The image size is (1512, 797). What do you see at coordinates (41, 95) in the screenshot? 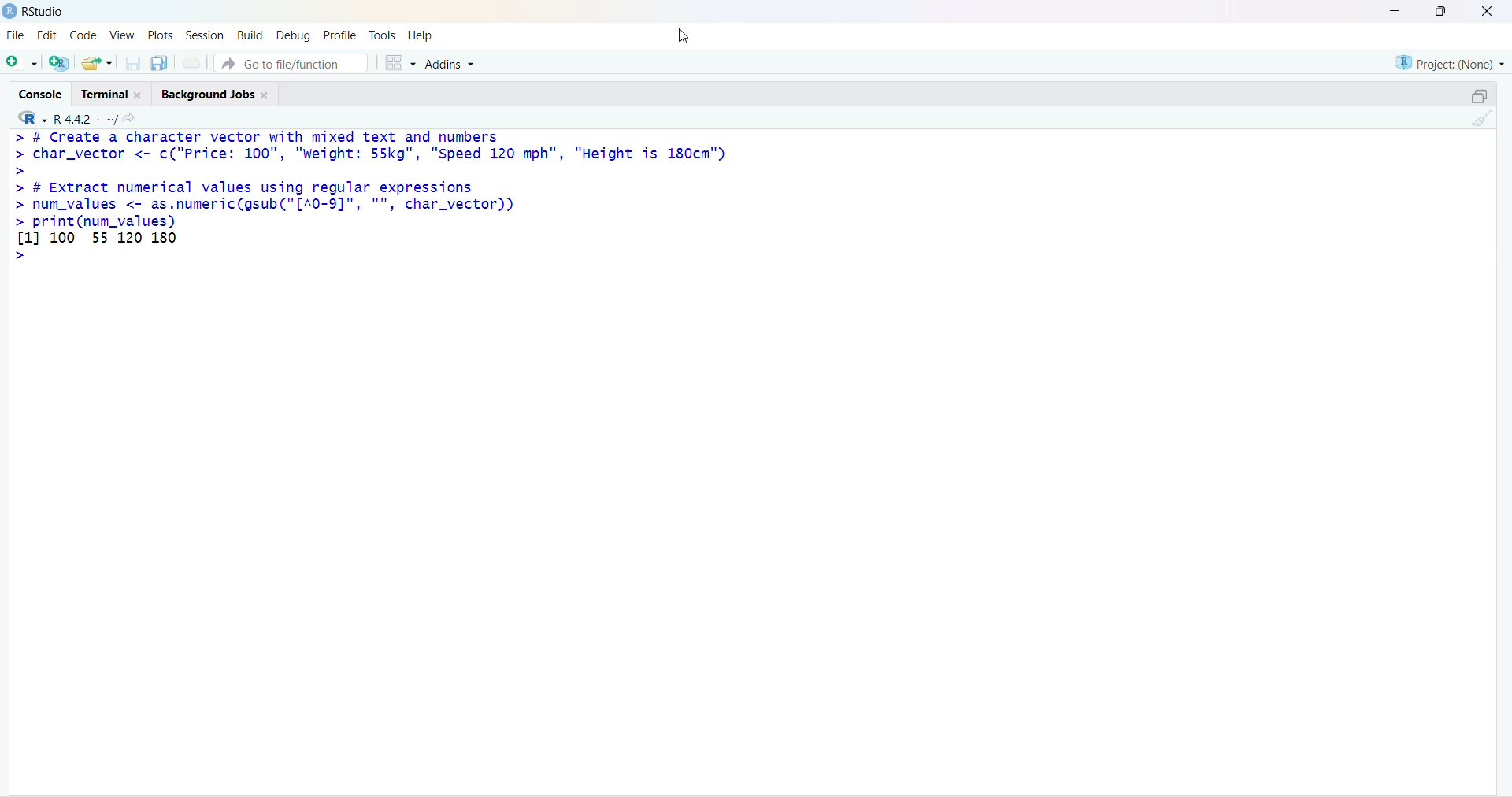
I see `cosole` at bounding box center [41, 95].